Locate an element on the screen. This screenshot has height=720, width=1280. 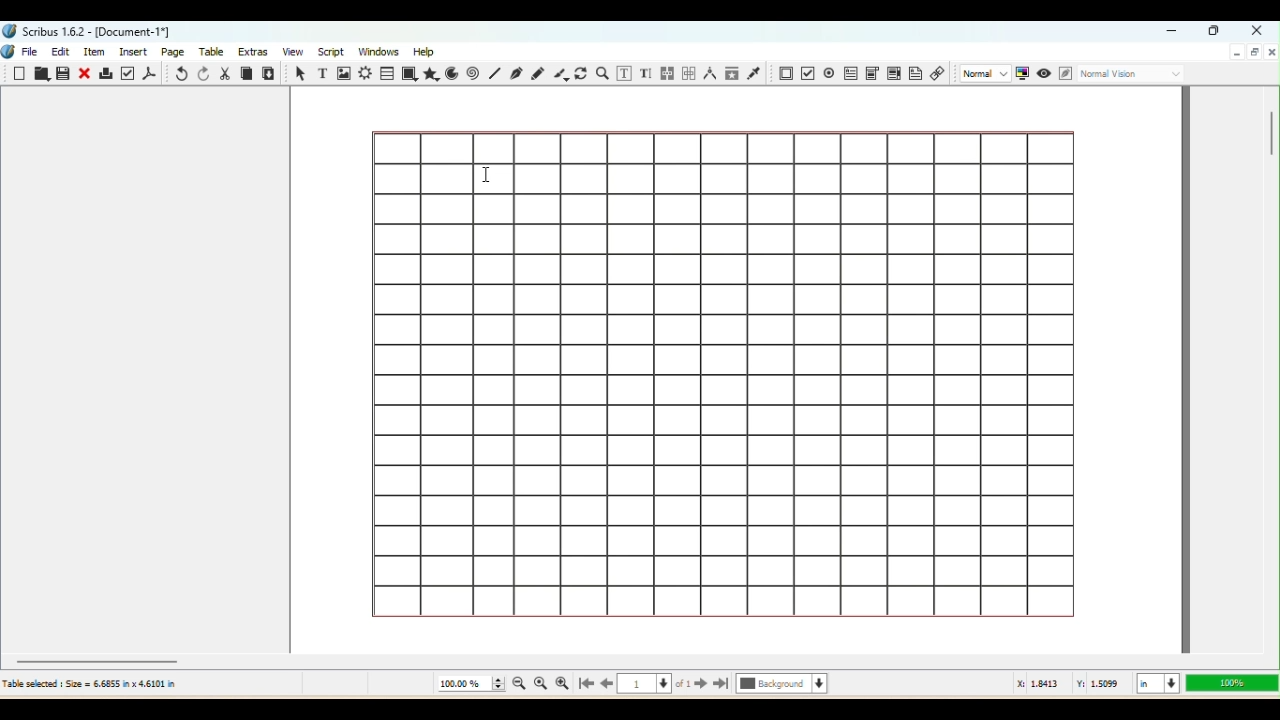
Close is located at coordinates (1254, 29).